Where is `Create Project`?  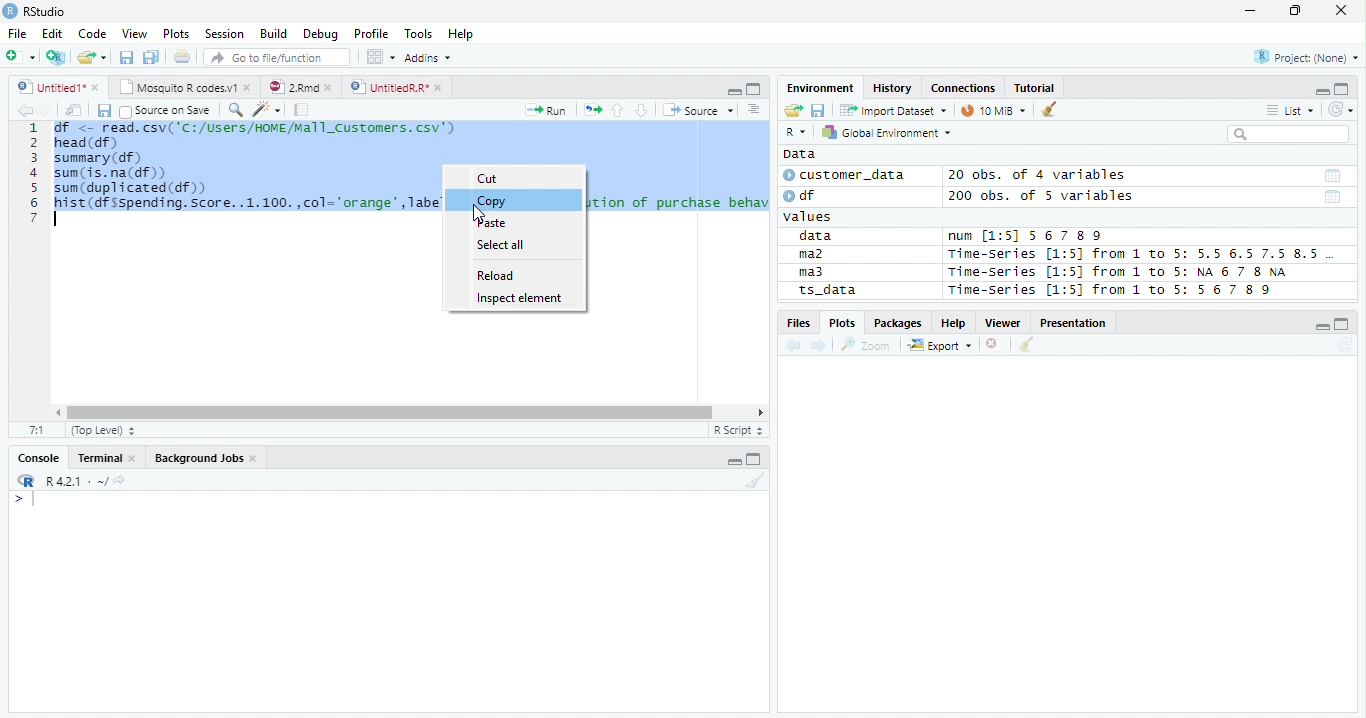 Create Project is located at coordinates (57, 57).